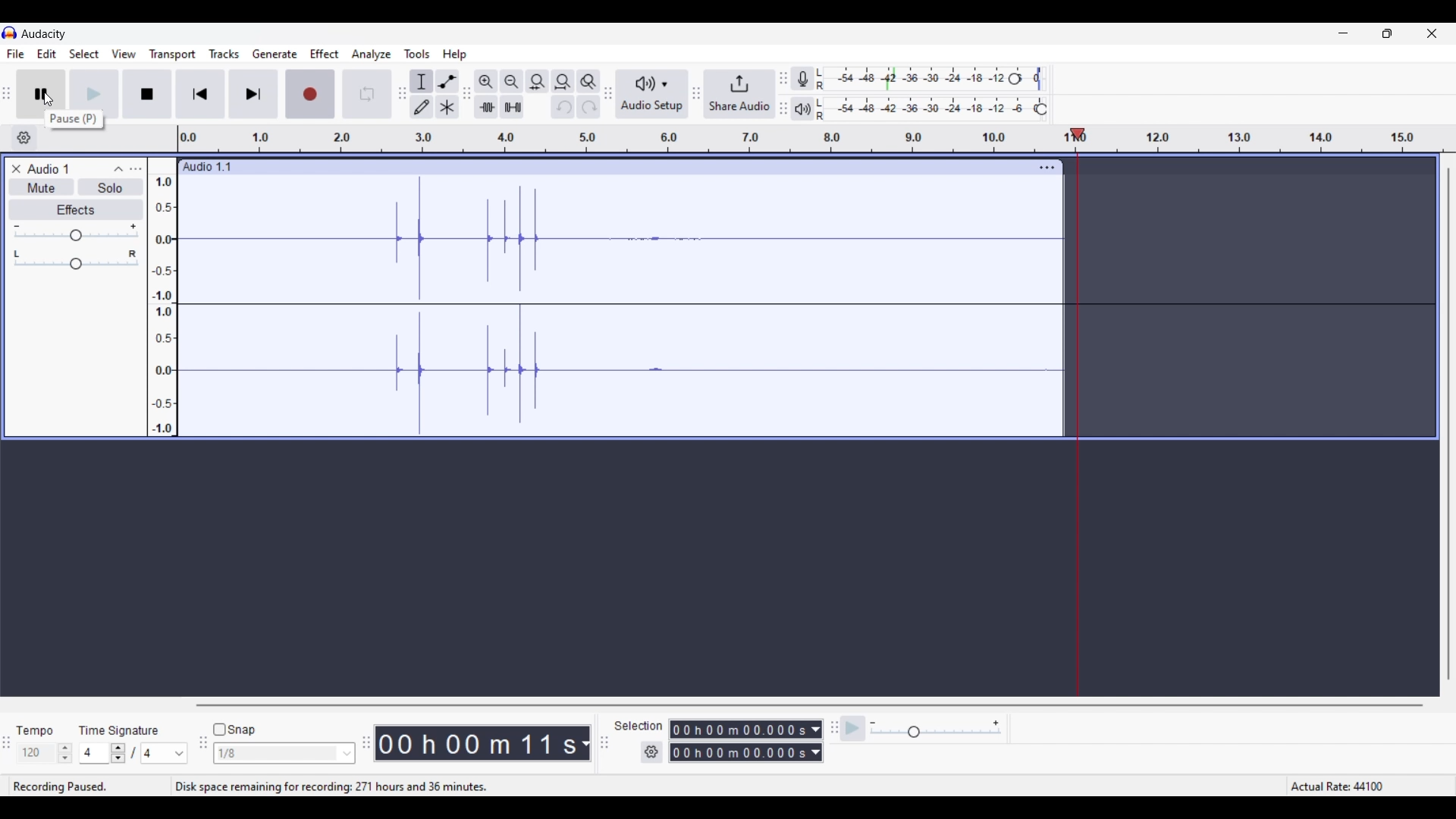  Describe the element at coordinates (651, 95) in the screenshot. I see `Audio setup` at that location.